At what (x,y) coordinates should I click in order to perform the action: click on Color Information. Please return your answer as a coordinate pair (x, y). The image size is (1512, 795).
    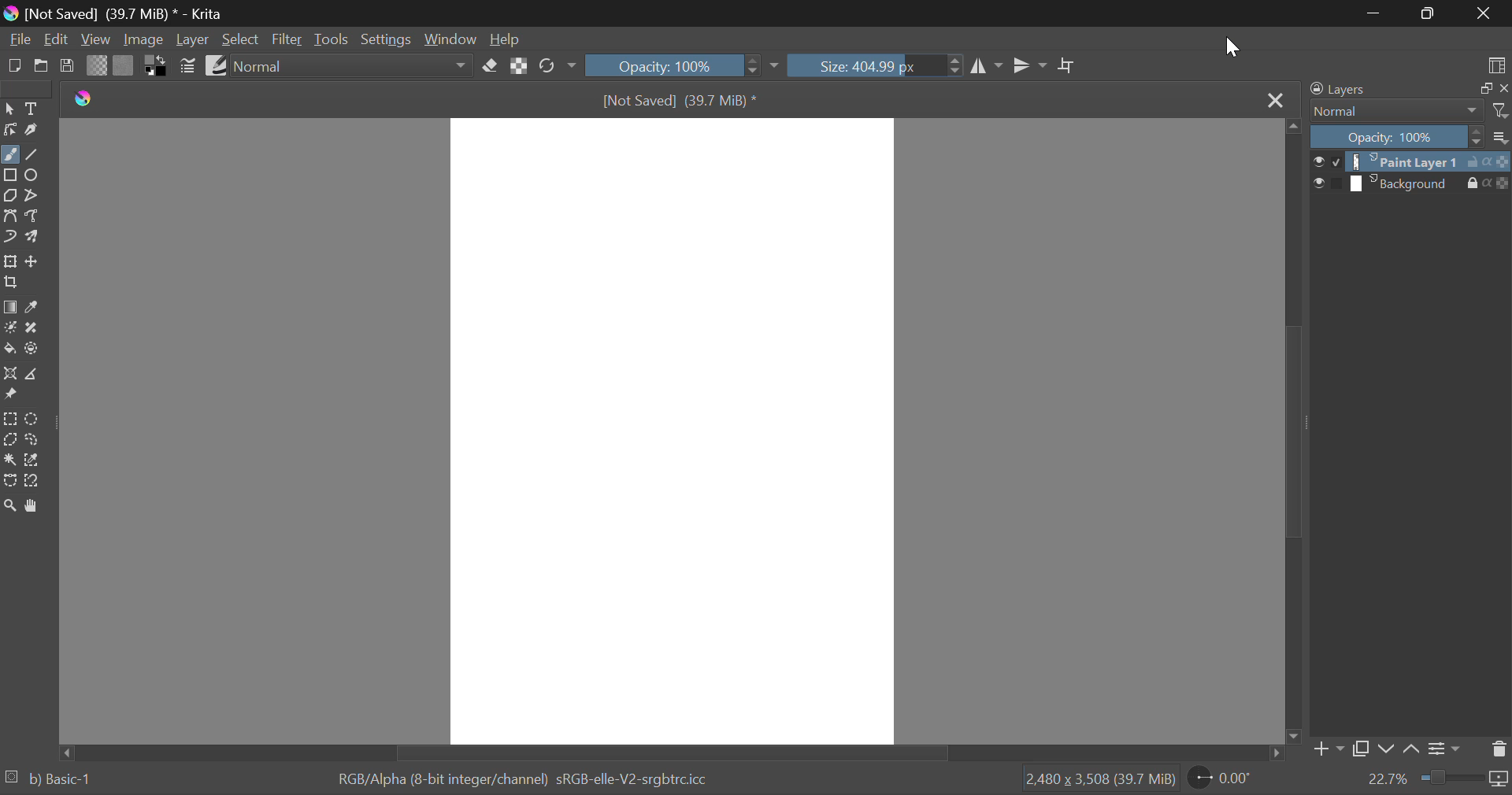
    Looking at the image, I should click on (521, 780).